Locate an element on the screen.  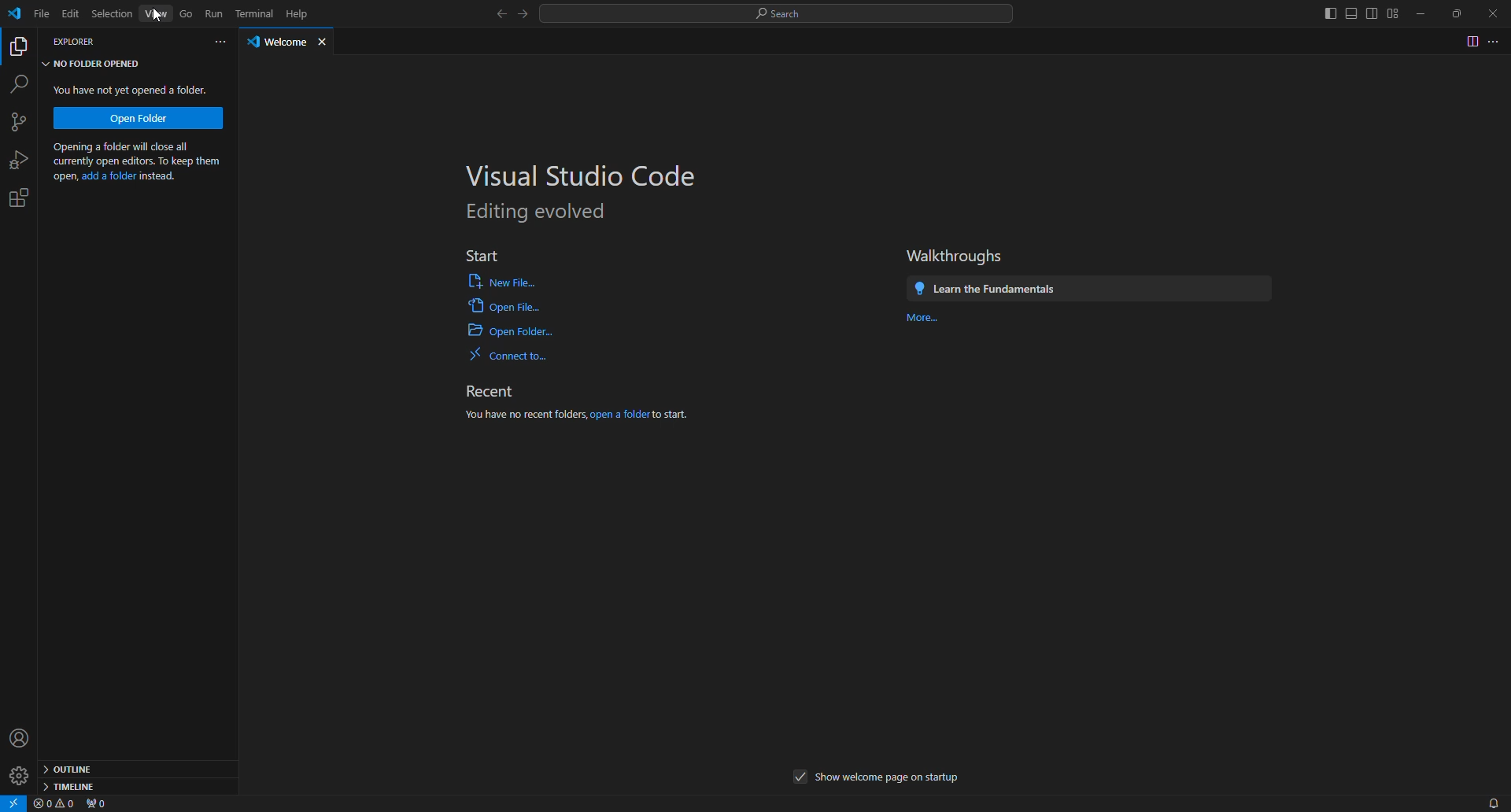
Open Folder is located at coordinates (511, 334).